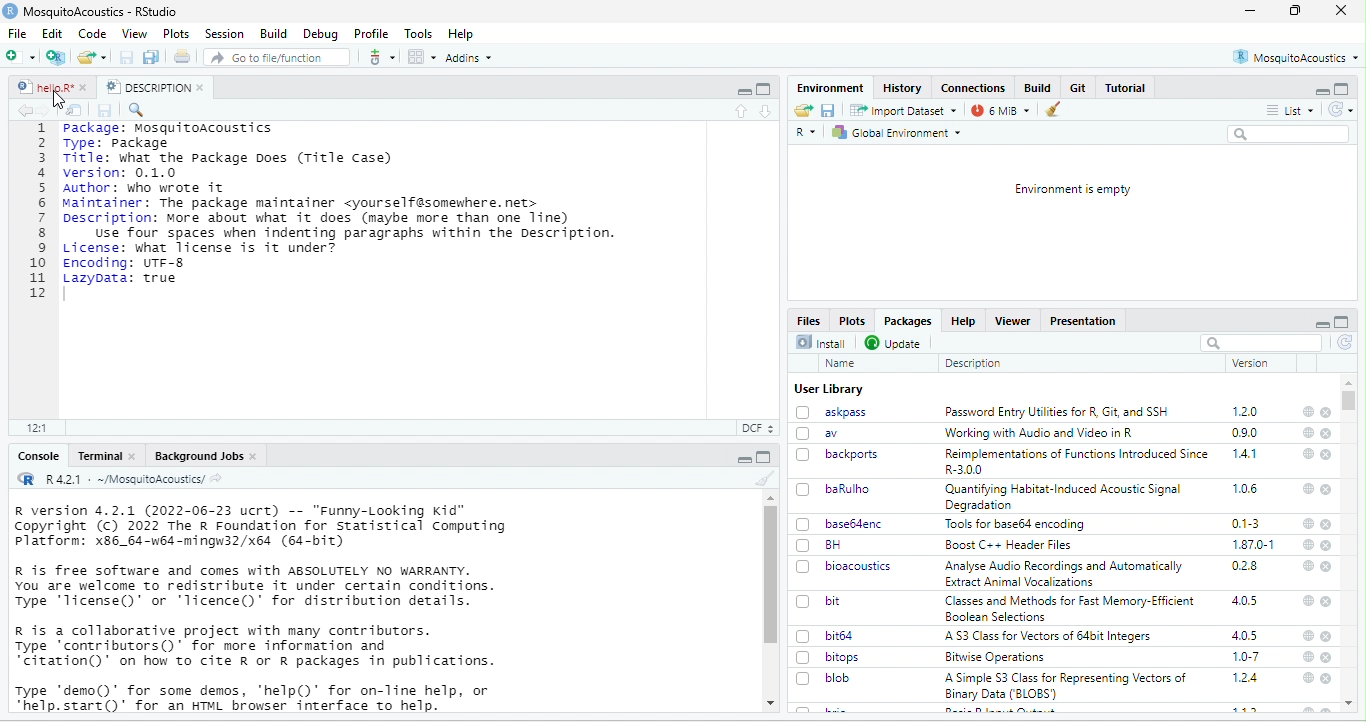 This screenshot has width=1366, height=722. I want to click on 4.0.5, so click(1246, 600).